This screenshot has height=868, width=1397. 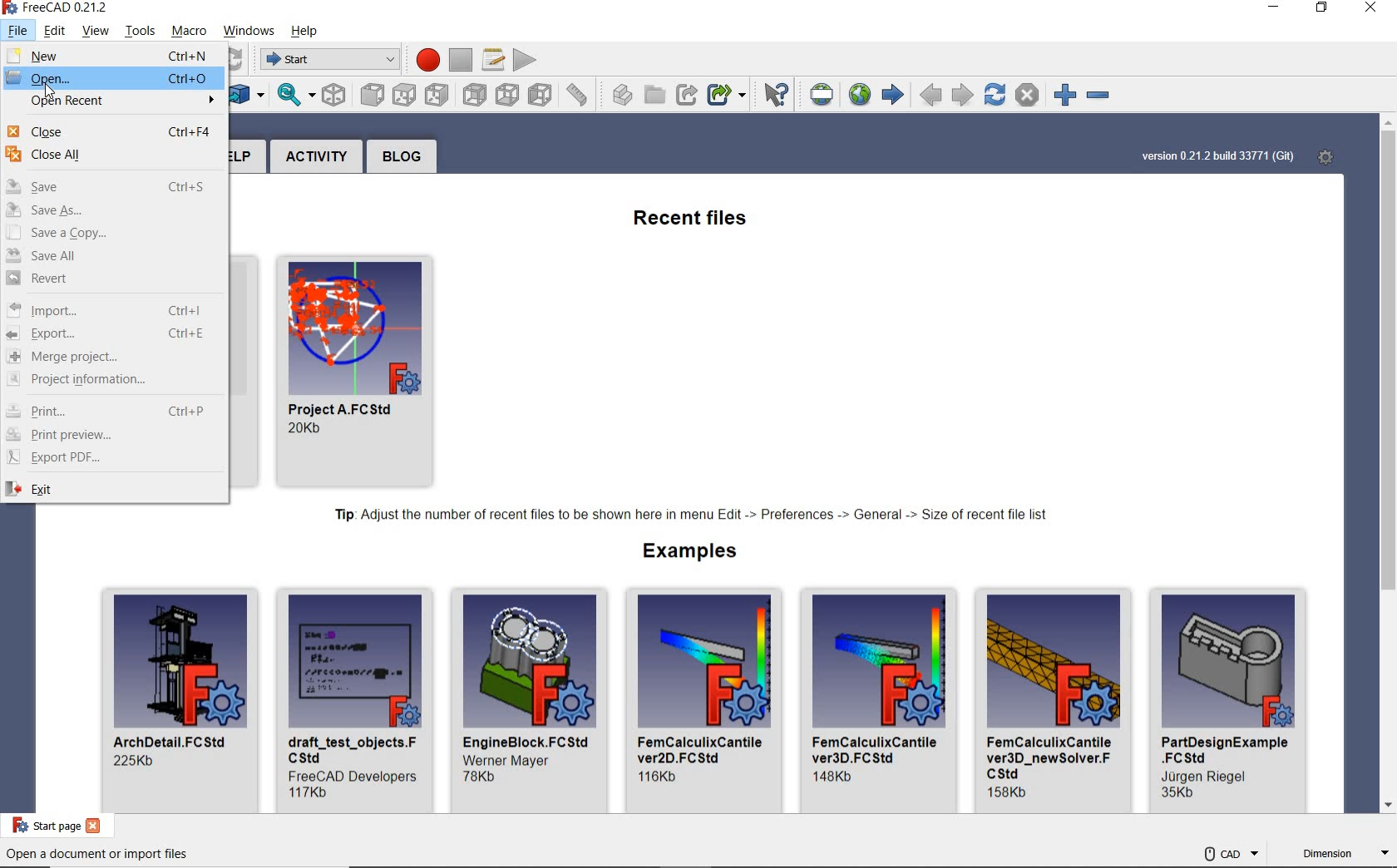 I want to click on LEFT, so click(x=540, y=91).